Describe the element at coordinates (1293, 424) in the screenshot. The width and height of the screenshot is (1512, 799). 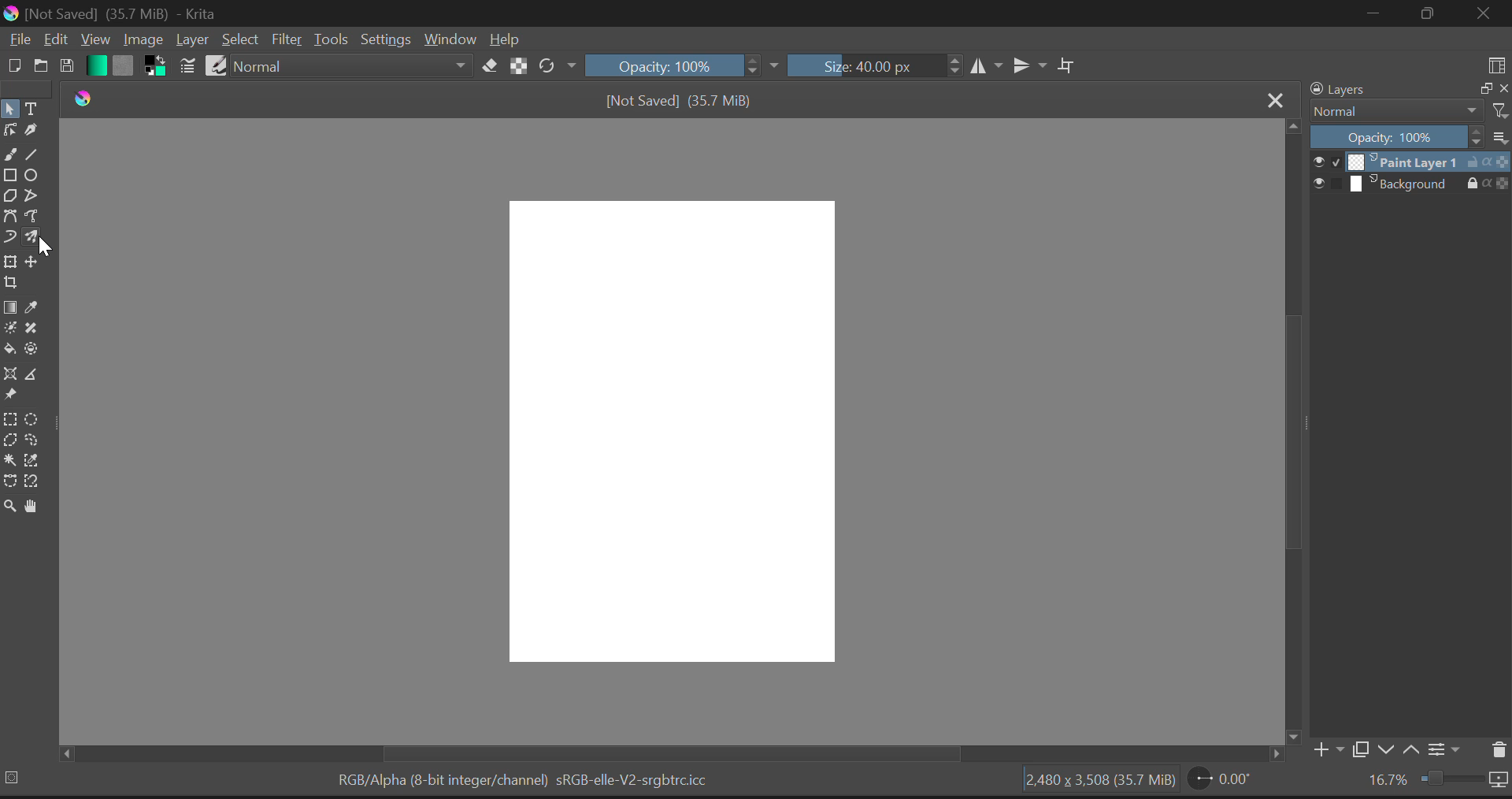
I see `Scroll Bar` at that location.